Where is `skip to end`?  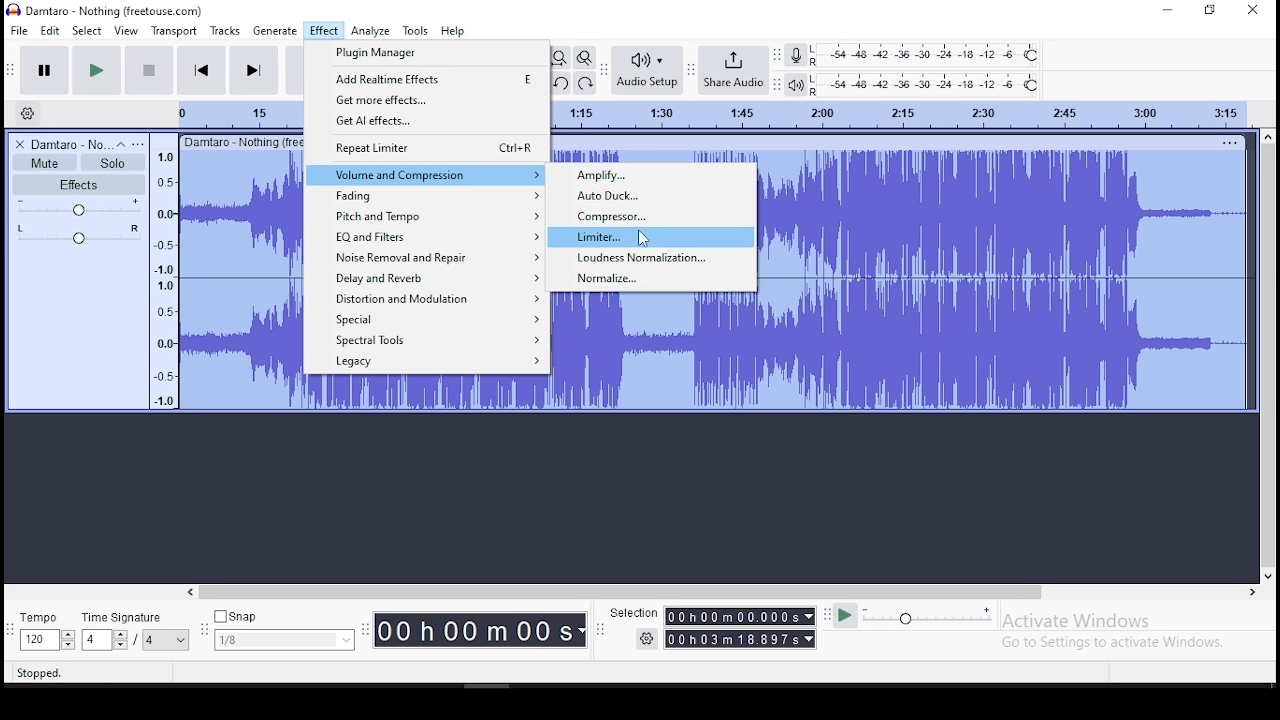
skip to end is located at coordinates (253, 71).